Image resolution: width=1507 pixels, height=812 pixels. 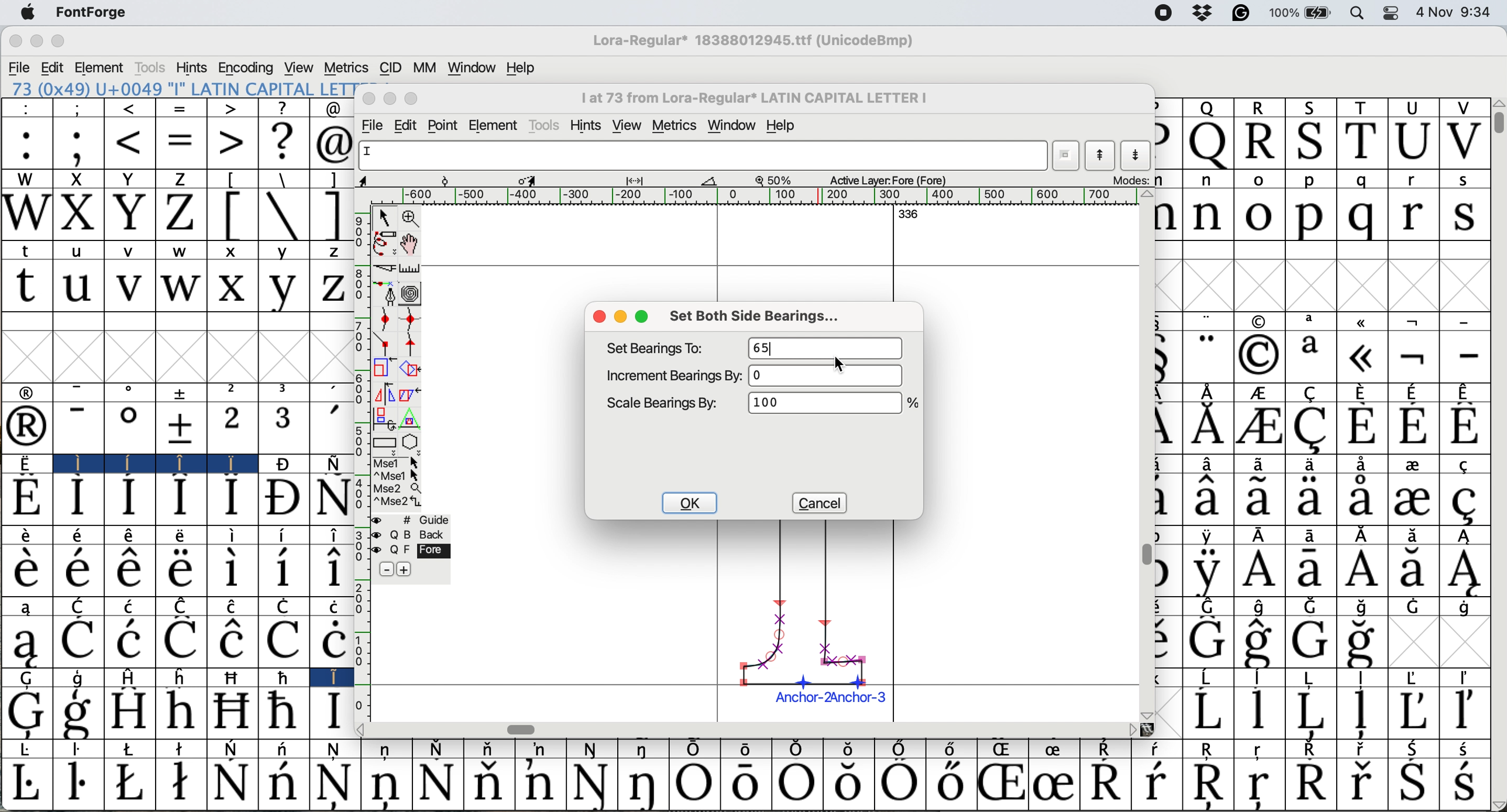 What do you see at coordinates (1210, 676) in the screenshot?
I see `Symbol` at bounding box center [1210, 676].